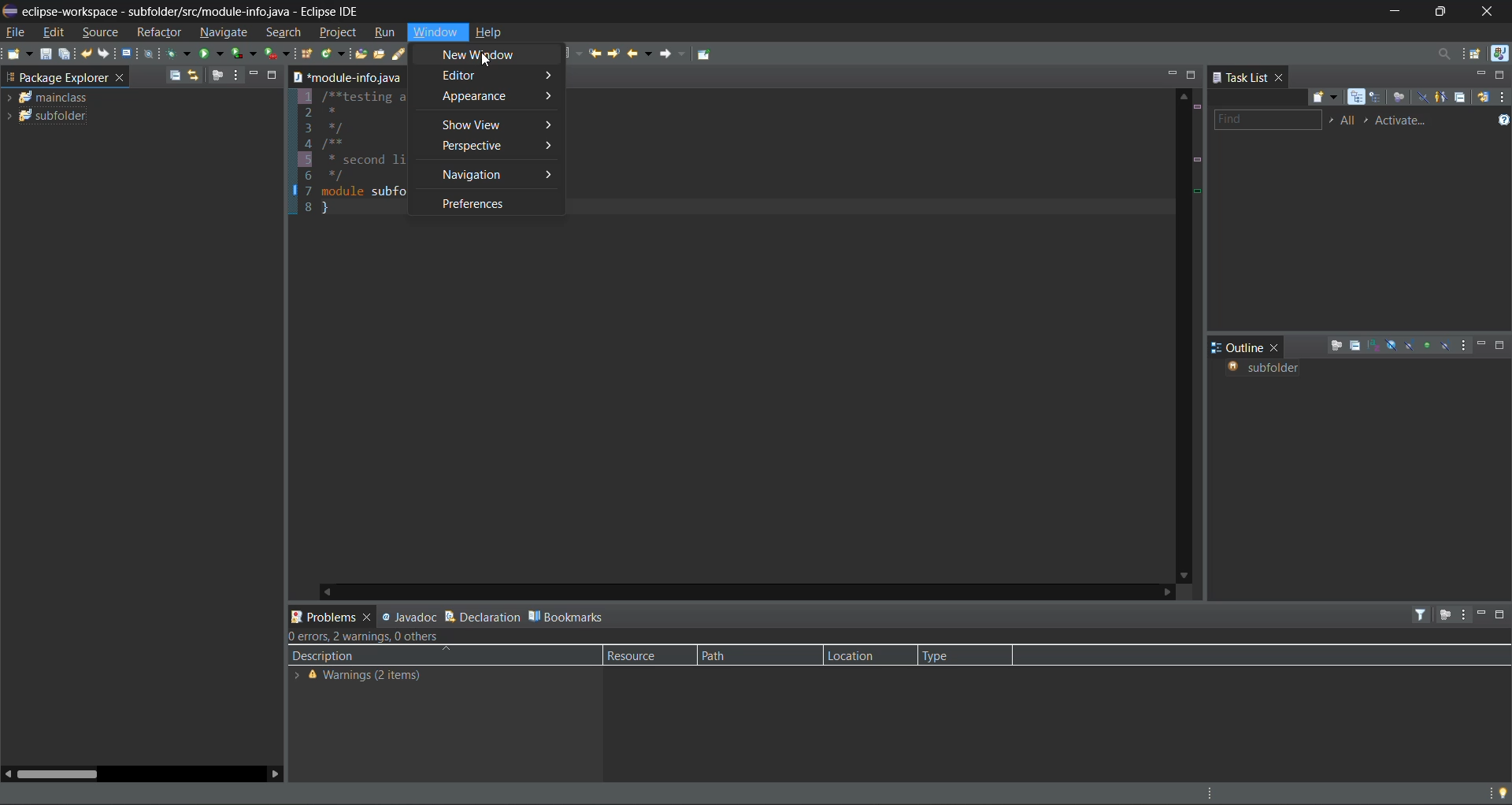  Describe the element at coordinates (52, 117) in the screenshot. I see `module 2` at that location.